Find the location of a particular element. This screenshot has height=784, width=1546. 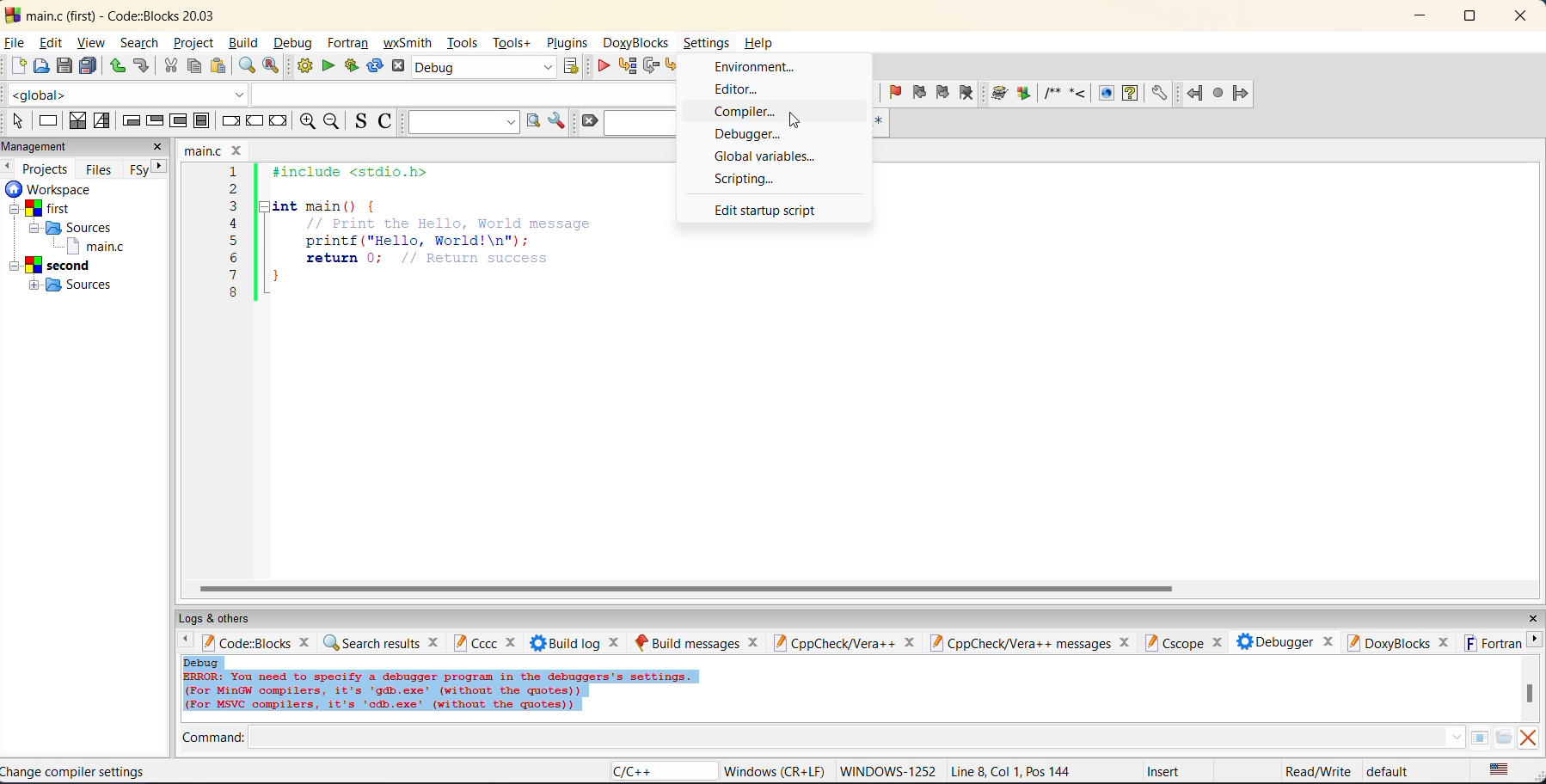

jump forward is located at coordinates (1242, 95).